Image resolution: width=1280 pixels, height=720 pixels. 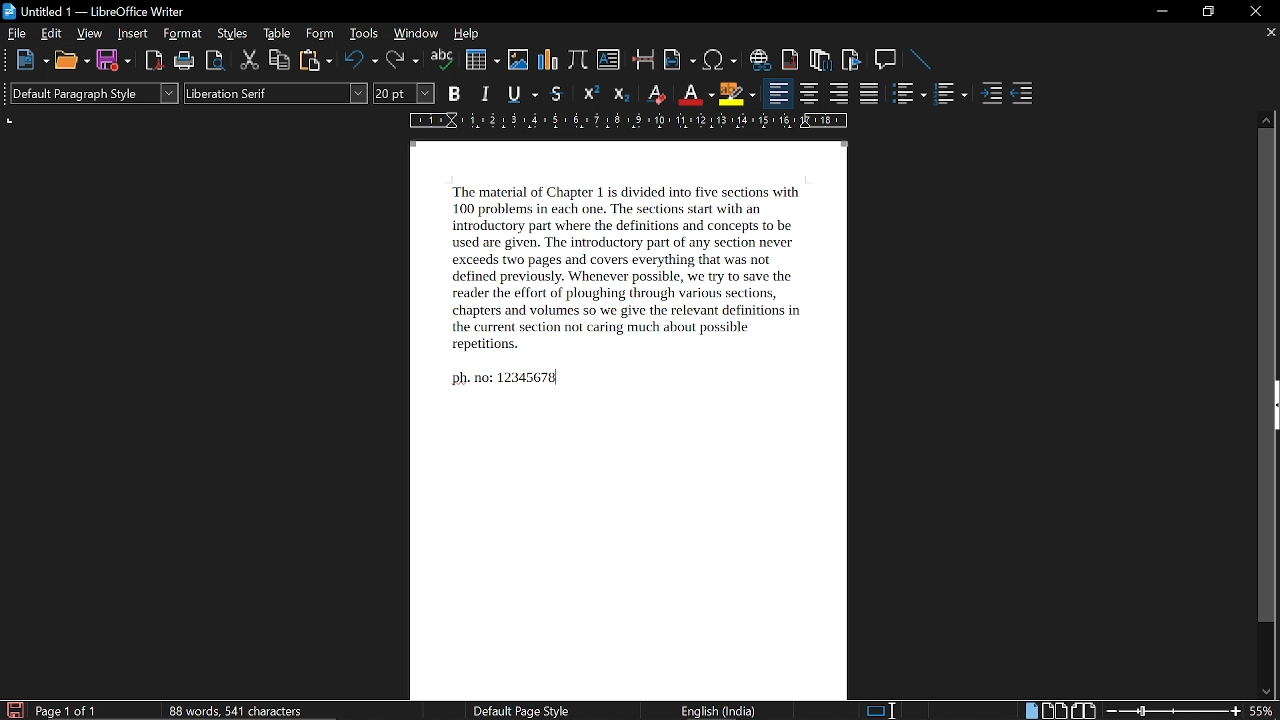 I want to click on insert symbol, so click(x=718, y=60).